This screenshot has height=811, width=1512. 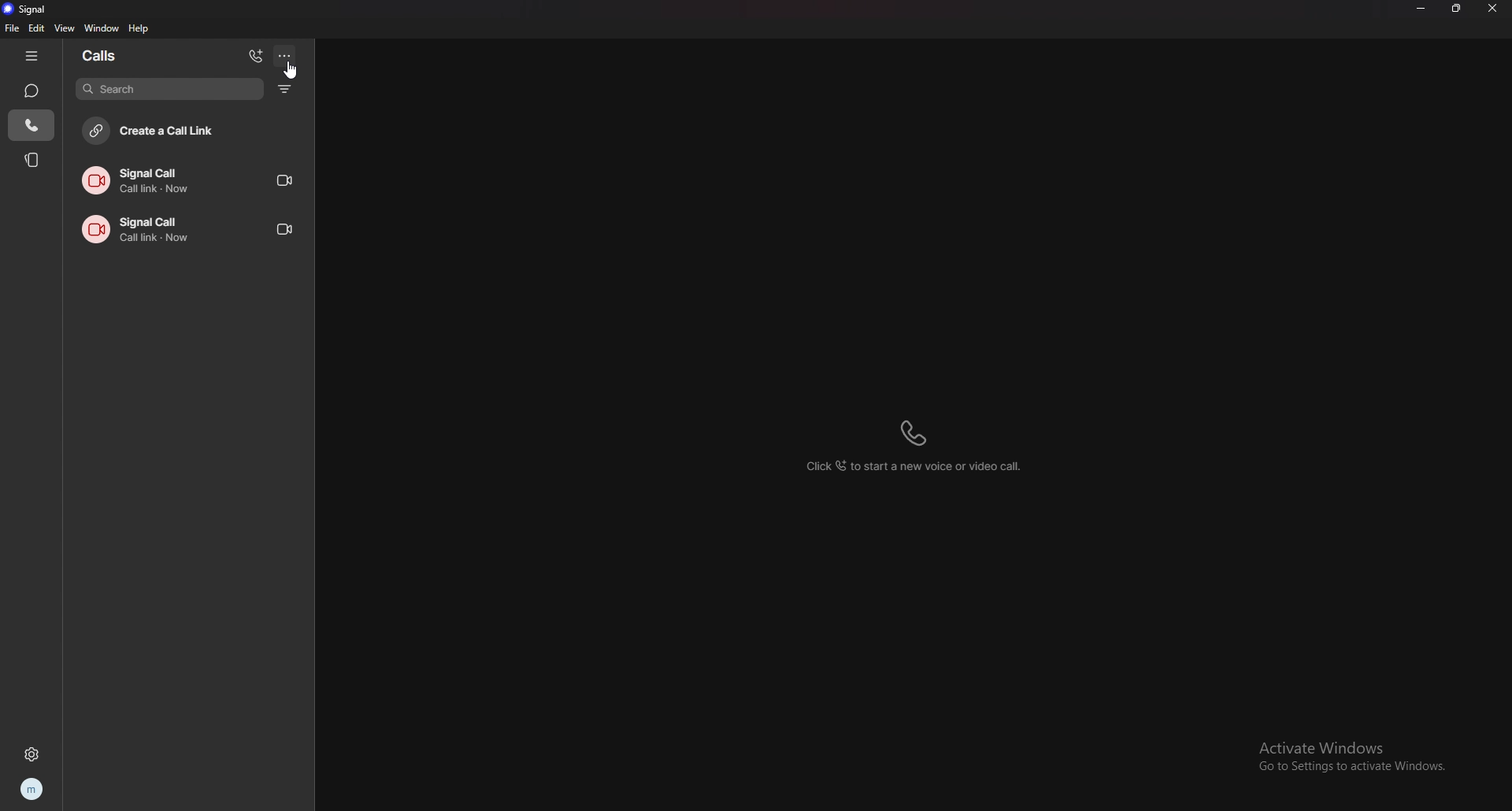 What do you see at coordinates (1494, 9) in the screenshot?
I see `close` at bounding box center [1494, 9].